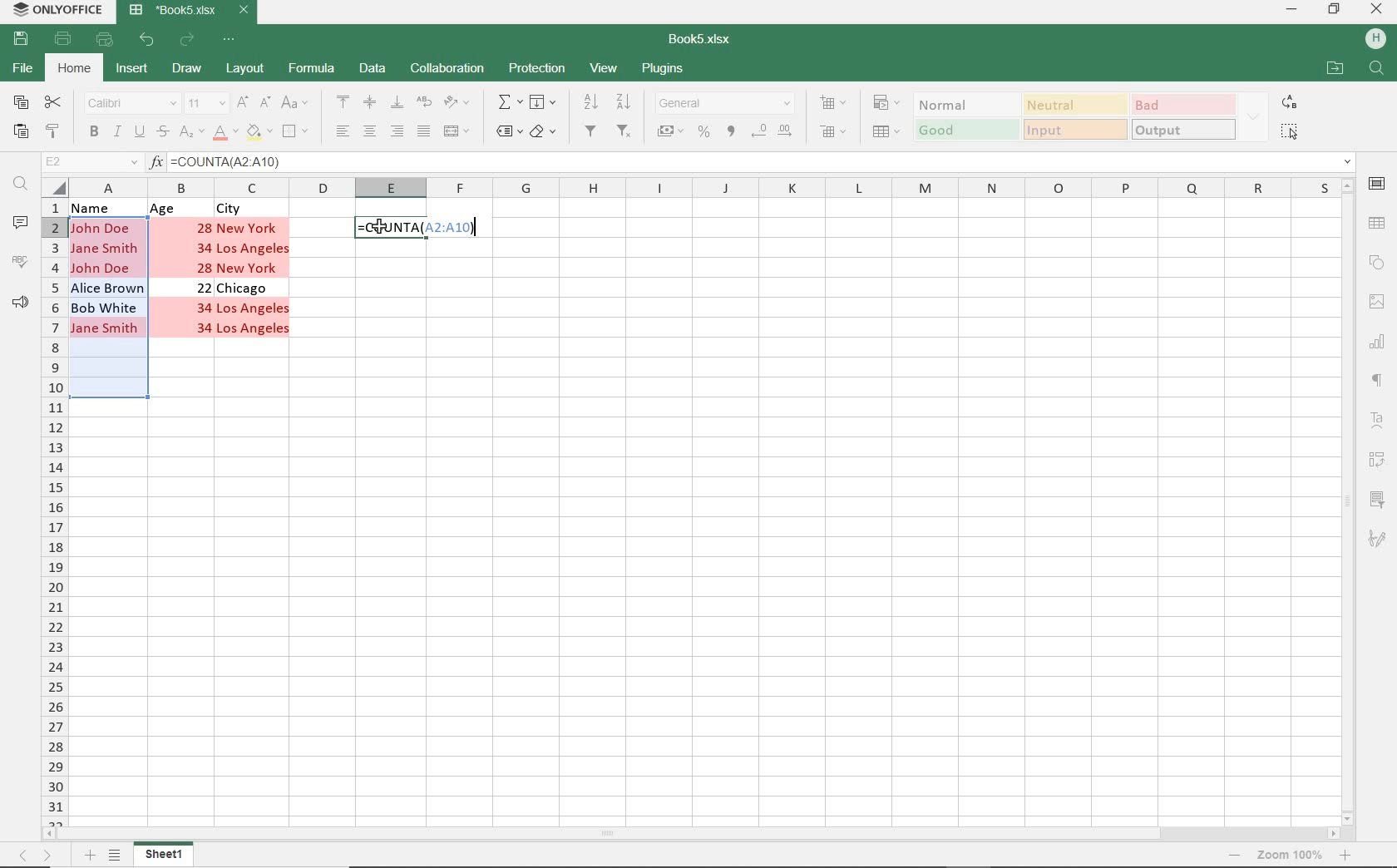 This screenshot has height=868, width=1397. I want to click on PASTE, so click(19, 133).